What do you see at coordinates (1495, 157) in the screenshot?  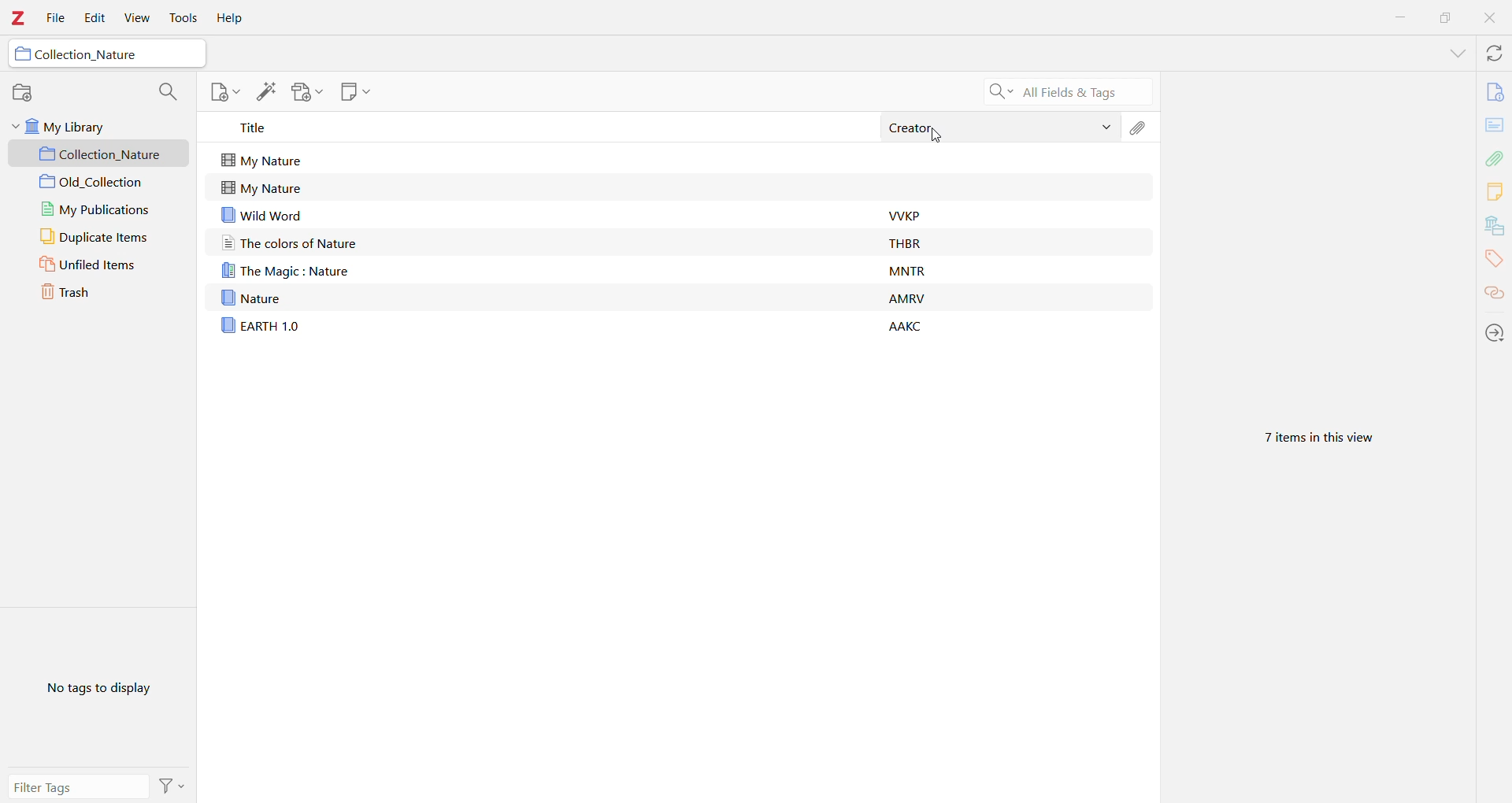 I see `Attachments` at bounding box center [1495, 157].